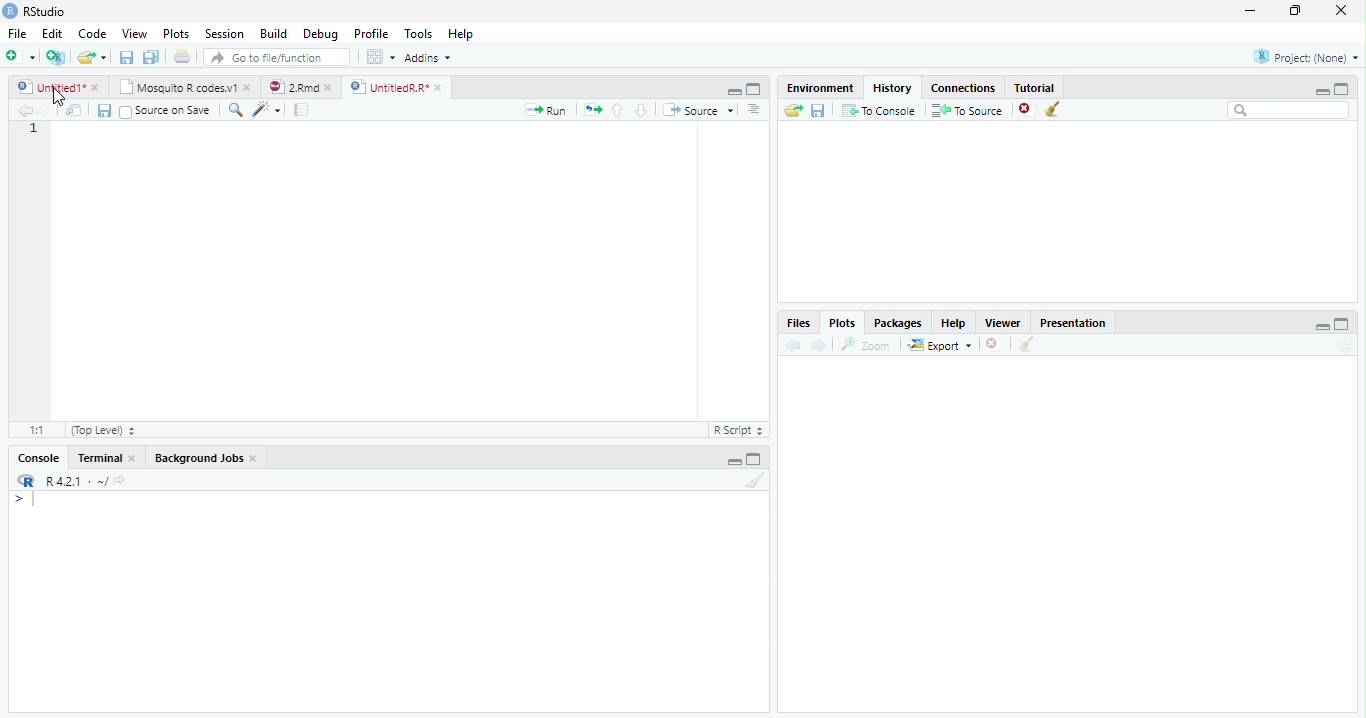 The width and height of the screenshot is (1366, 718). What do you see at coordinates (753, 111) in the screenshot?
I see `Alignment` at bounding box center [753, 111].